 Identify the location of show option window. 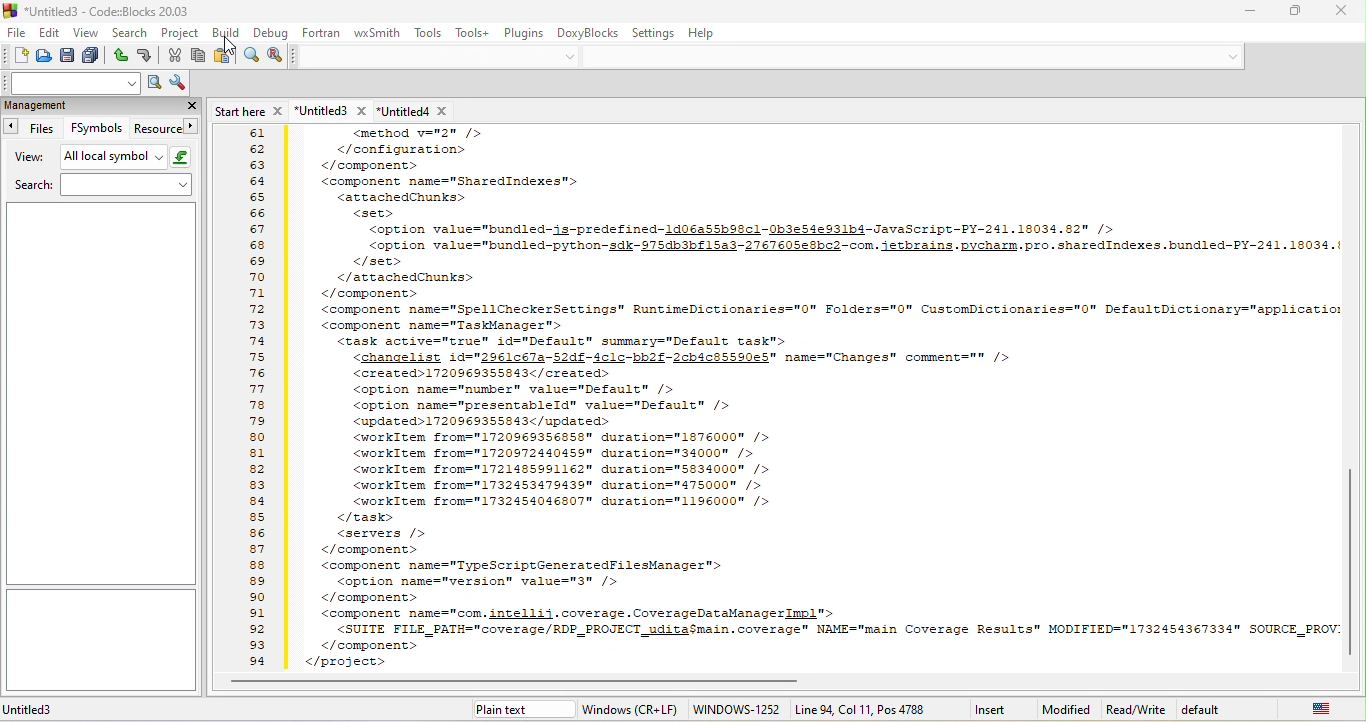
(179, 81).